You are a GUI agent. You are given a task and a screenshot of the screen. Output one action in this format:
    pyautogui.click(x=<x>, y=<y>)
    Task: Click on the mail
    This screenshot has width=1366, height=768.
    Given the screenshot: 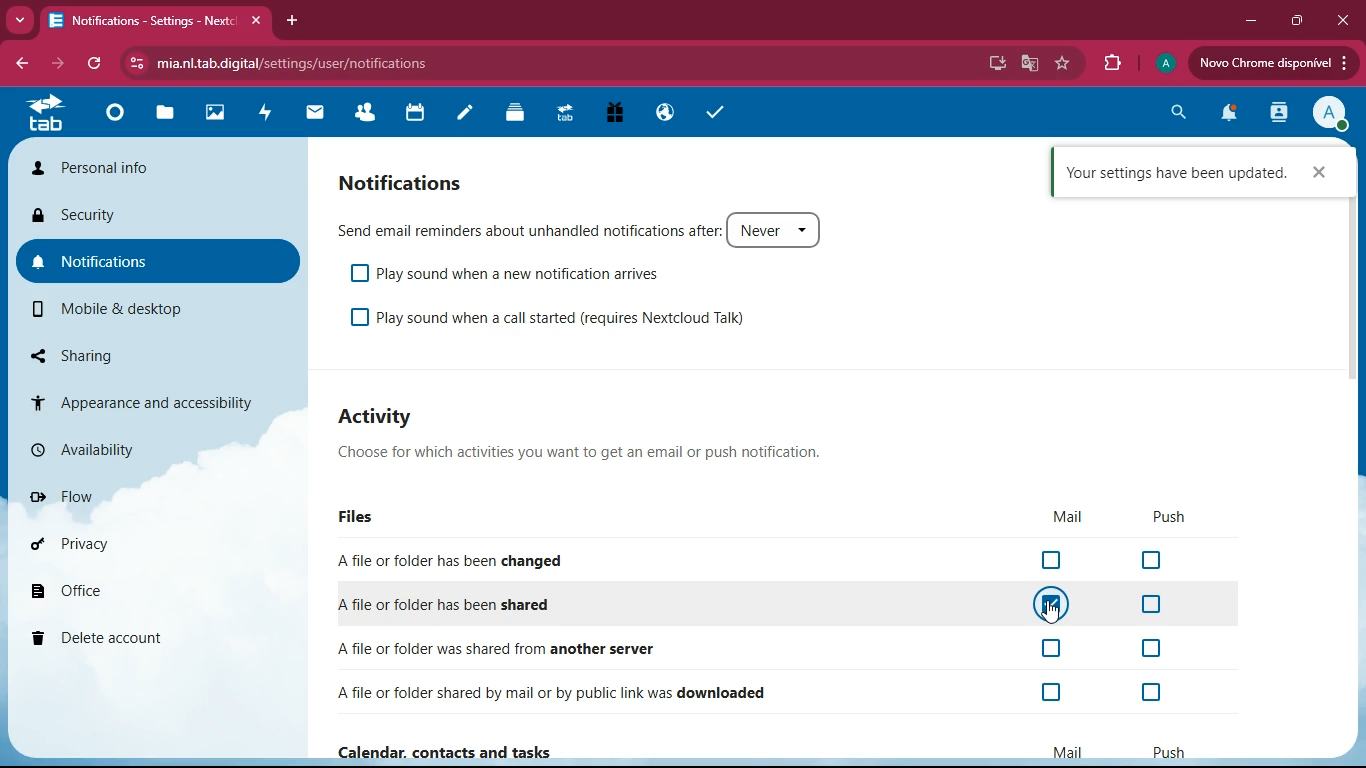 What is the action you would take?
    pyautogui.click(x=1066, y=750)
    